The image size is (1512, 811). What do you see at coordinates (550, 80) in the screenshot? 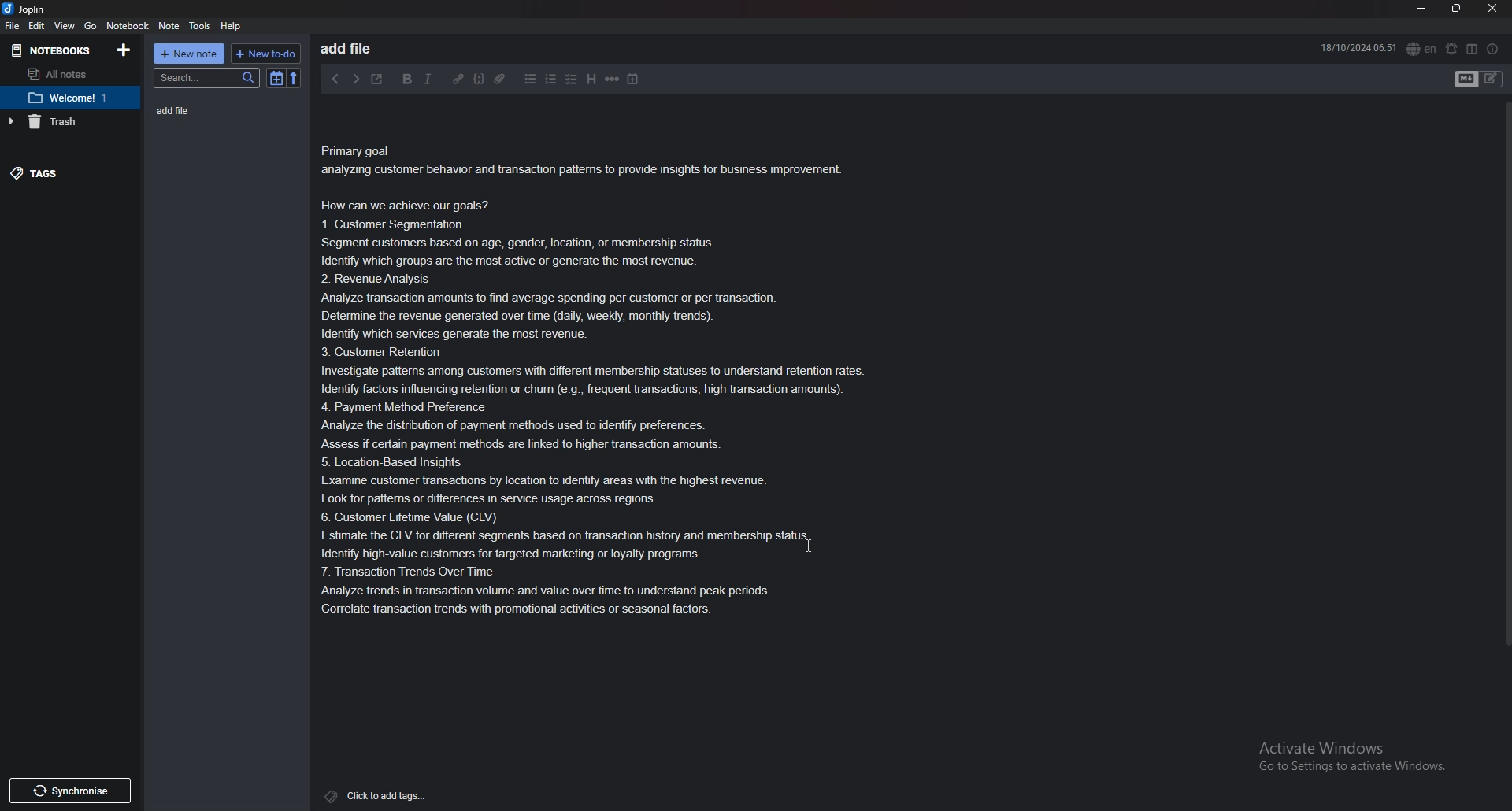
I see `Number list` at bounding box center [550, 80].